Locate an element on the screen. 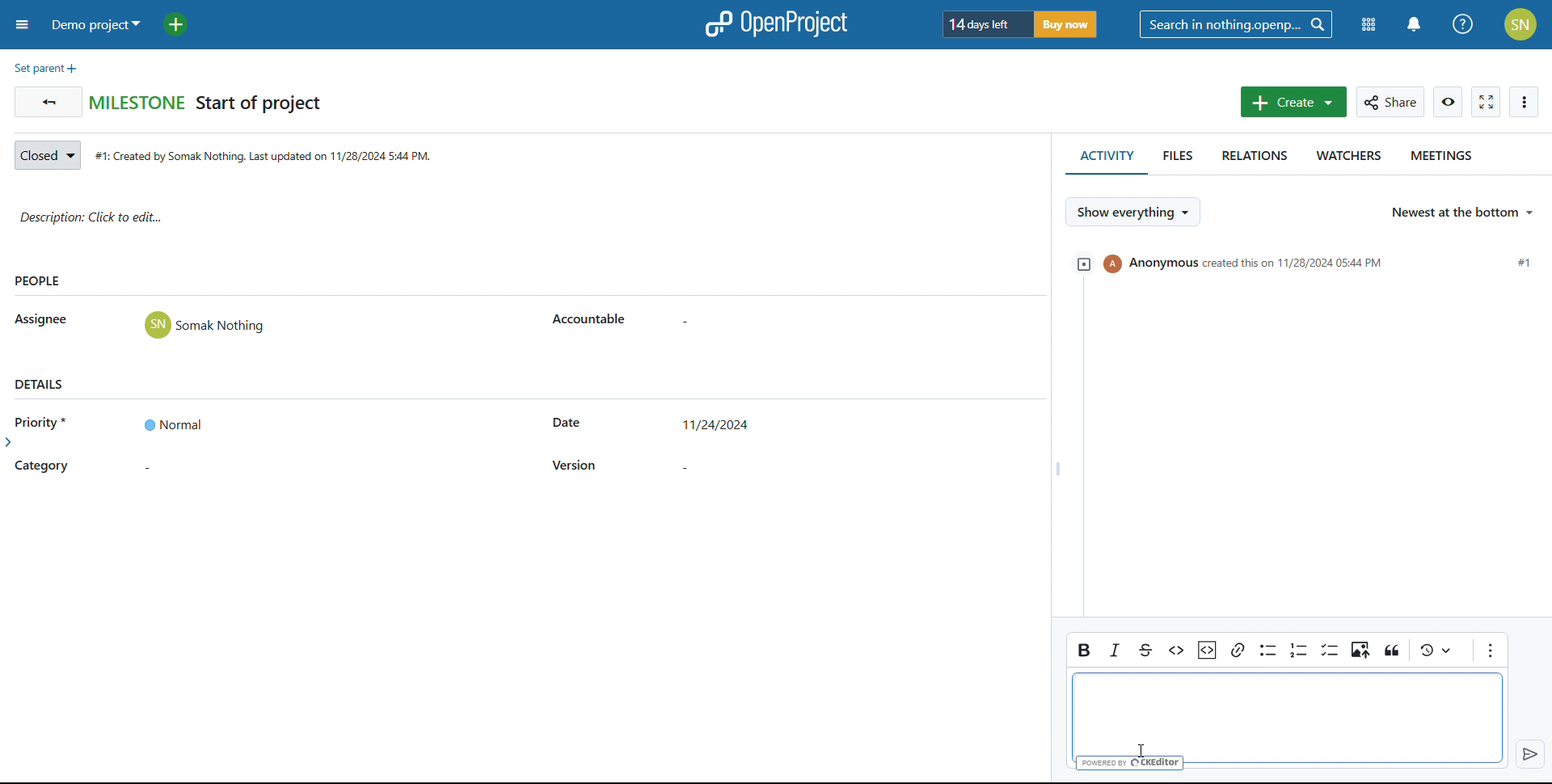  people is located at coordinates (39, 282).